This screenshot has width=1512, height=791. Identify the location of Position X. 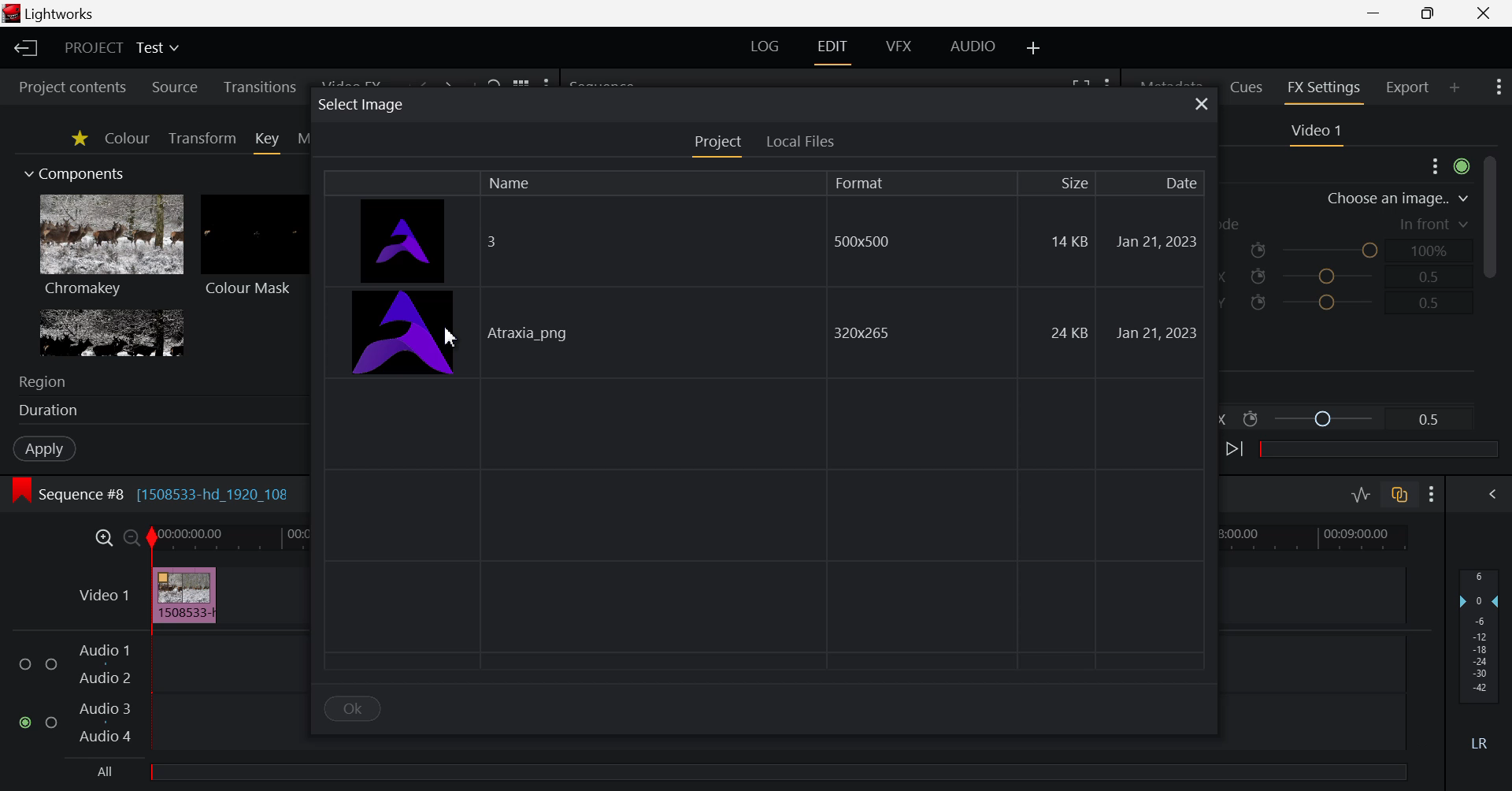
(1331, 278).